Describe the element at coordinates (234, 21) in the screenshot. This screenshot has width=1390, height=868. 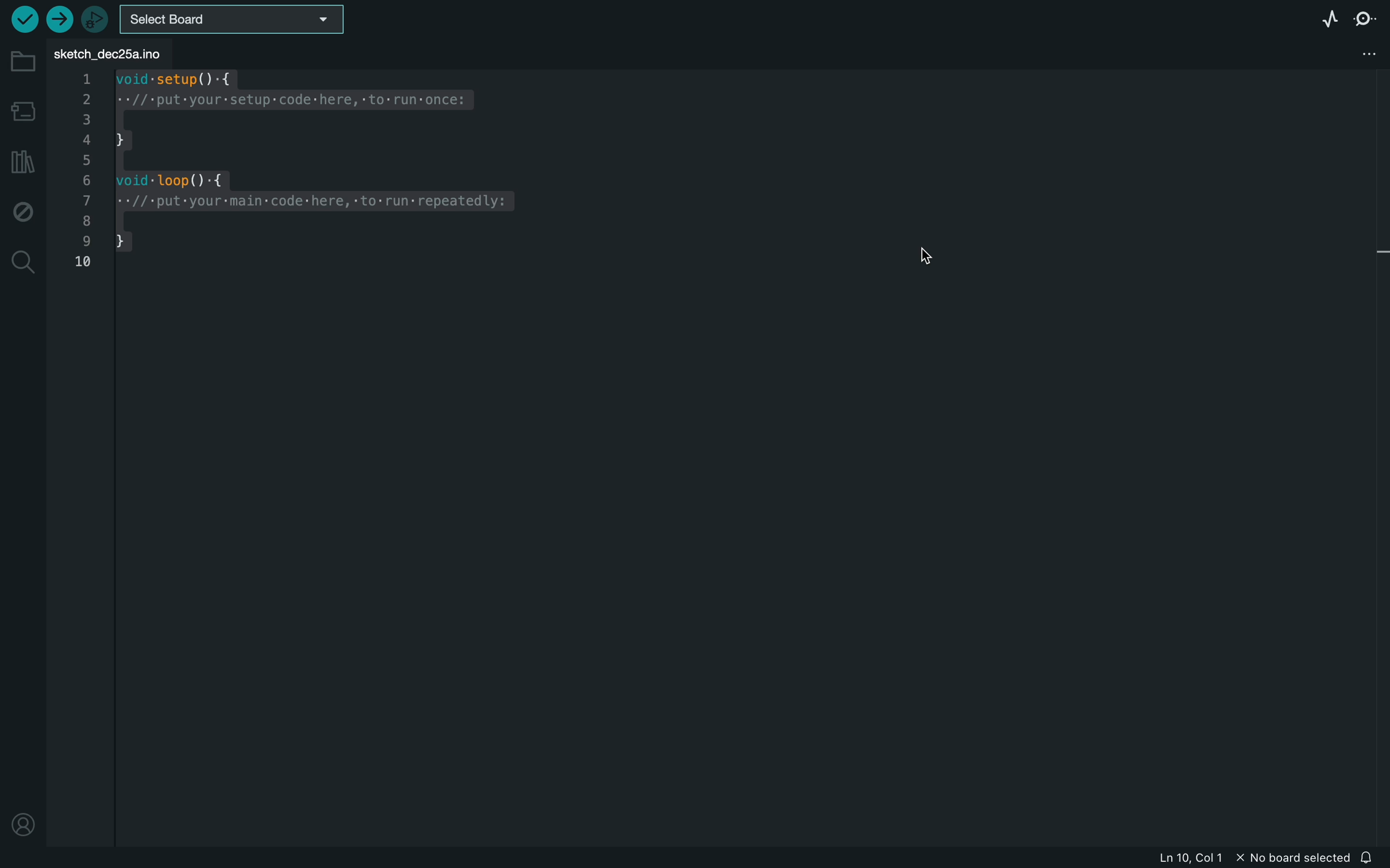
I see `board  selecter` at that location.